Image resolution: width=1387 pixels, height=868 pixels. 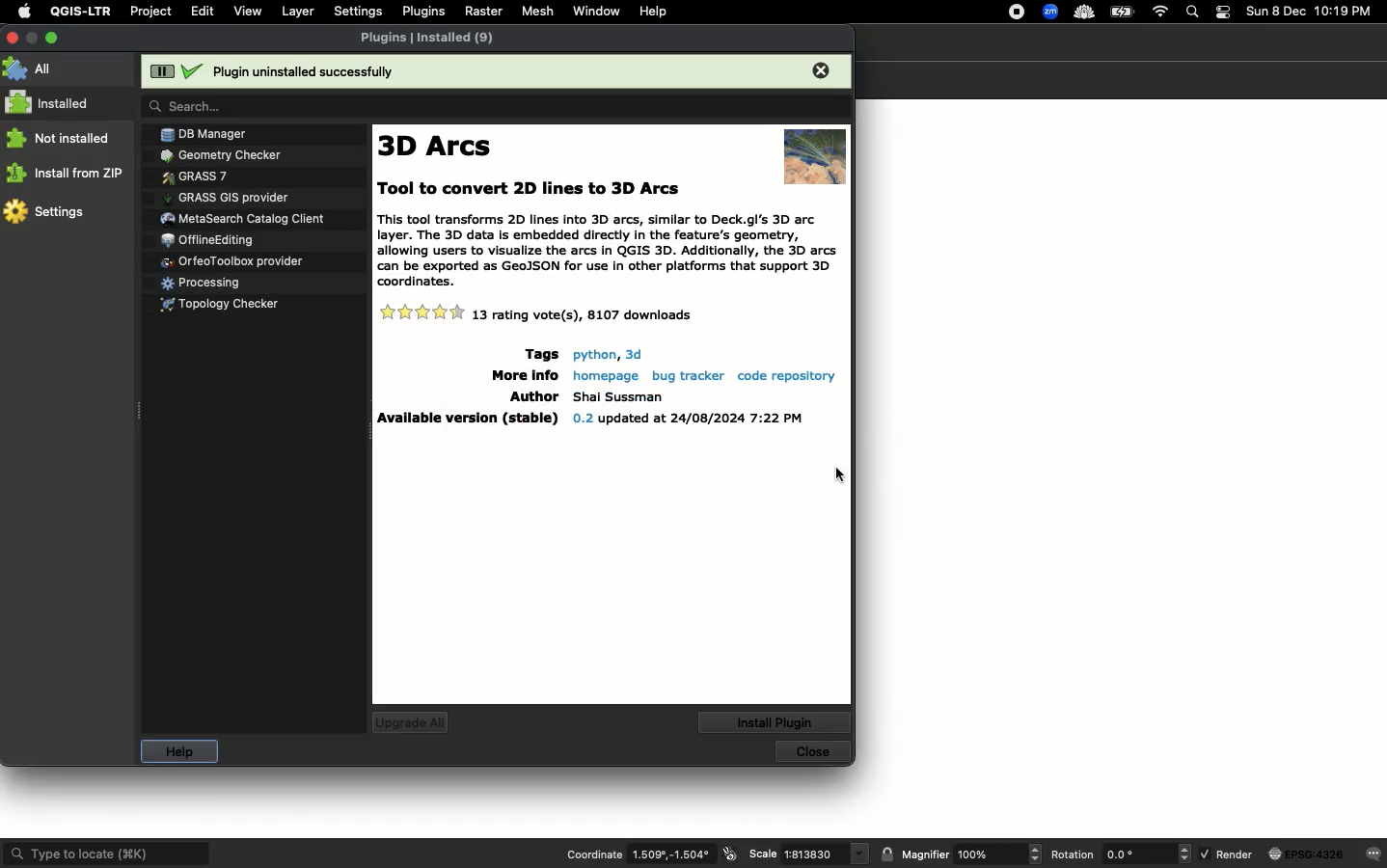 What do you see at coordinates (661, 357) in the screenshot?
I see `Details` at bounding box center [661, 357].